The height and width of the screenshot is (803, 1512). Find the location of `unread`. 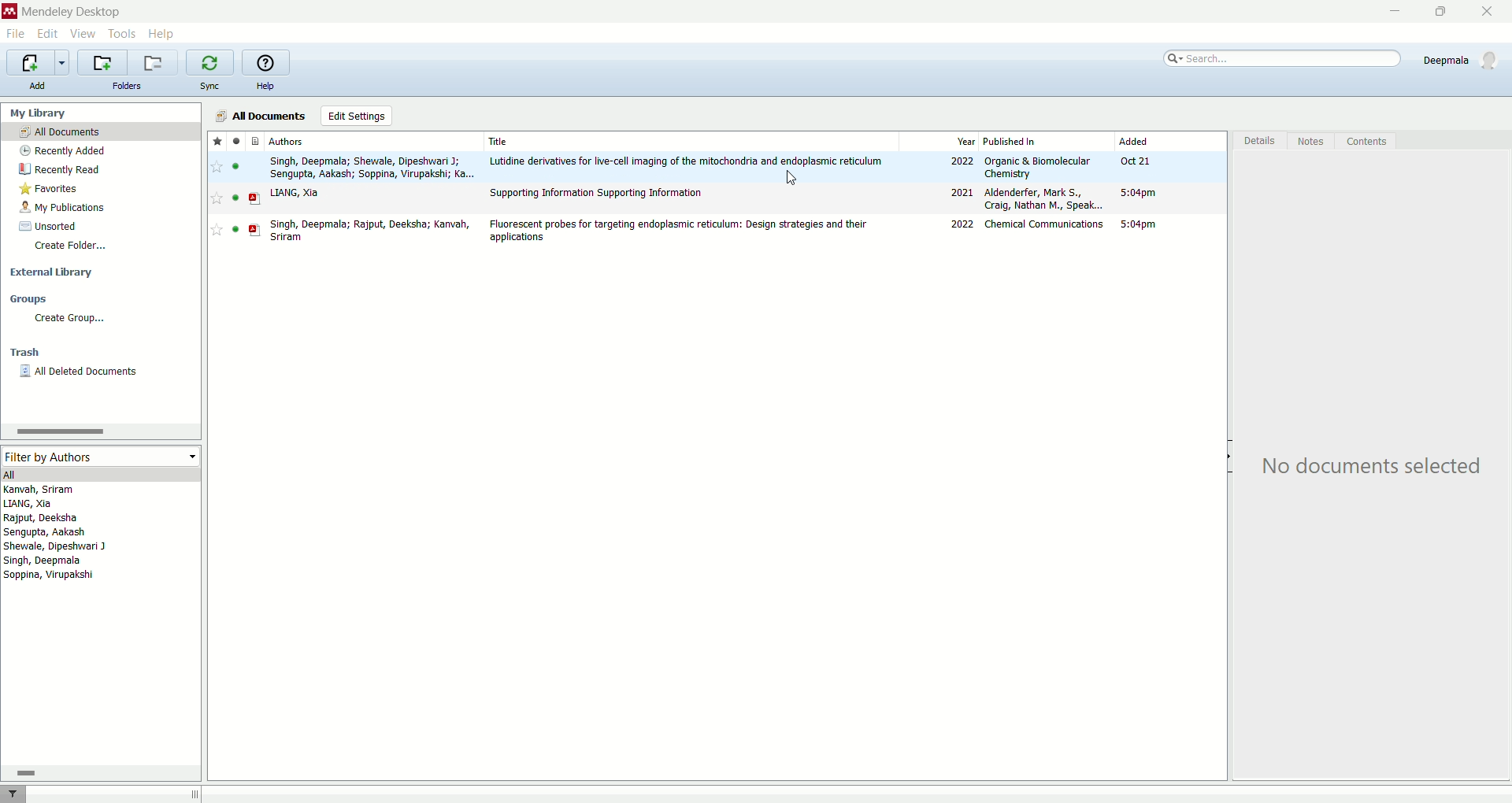

unread is located at coordinates (235, 198).